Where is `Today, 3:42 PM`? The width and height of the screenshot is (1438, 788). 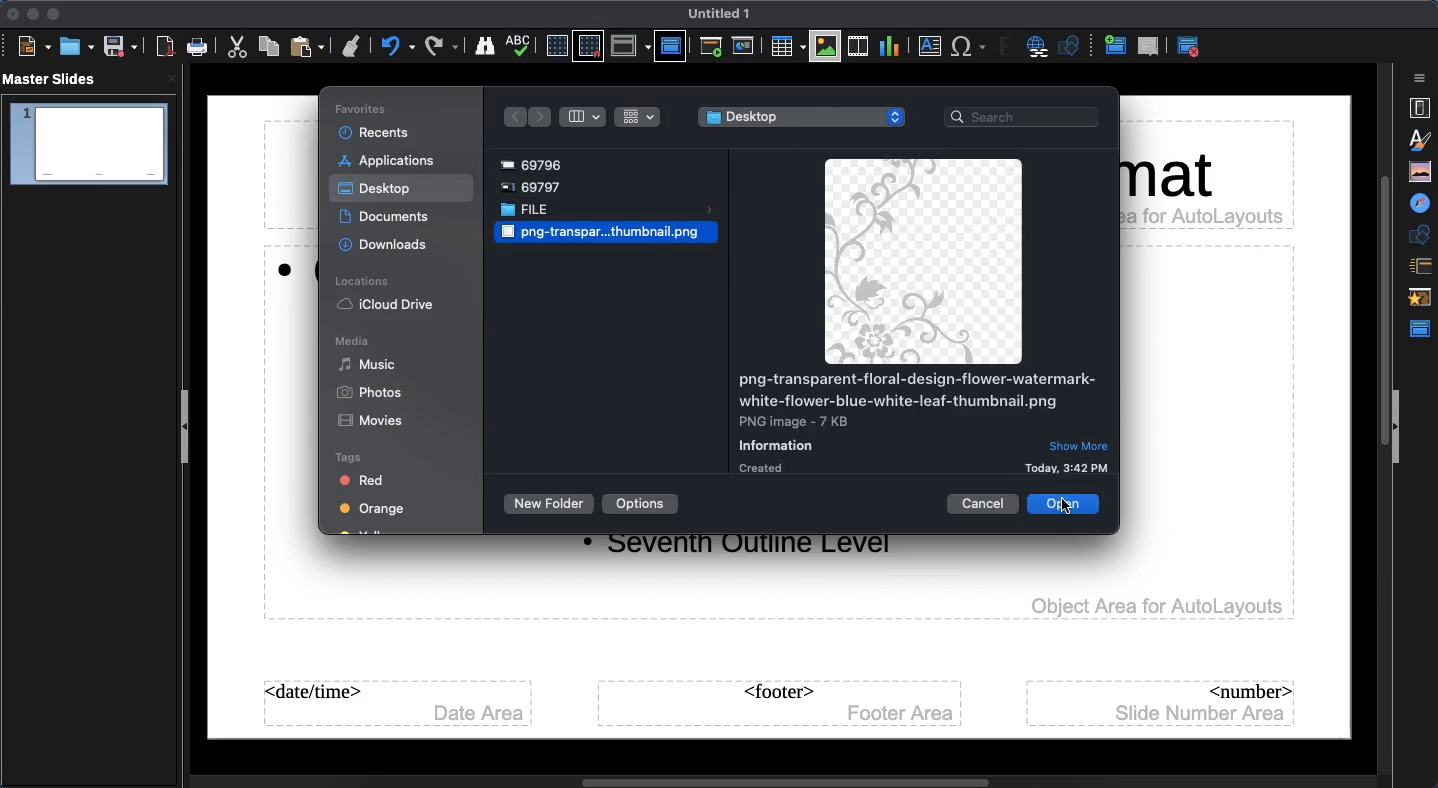 Today, 3:42 PM is located at coordinates (1069, 468).